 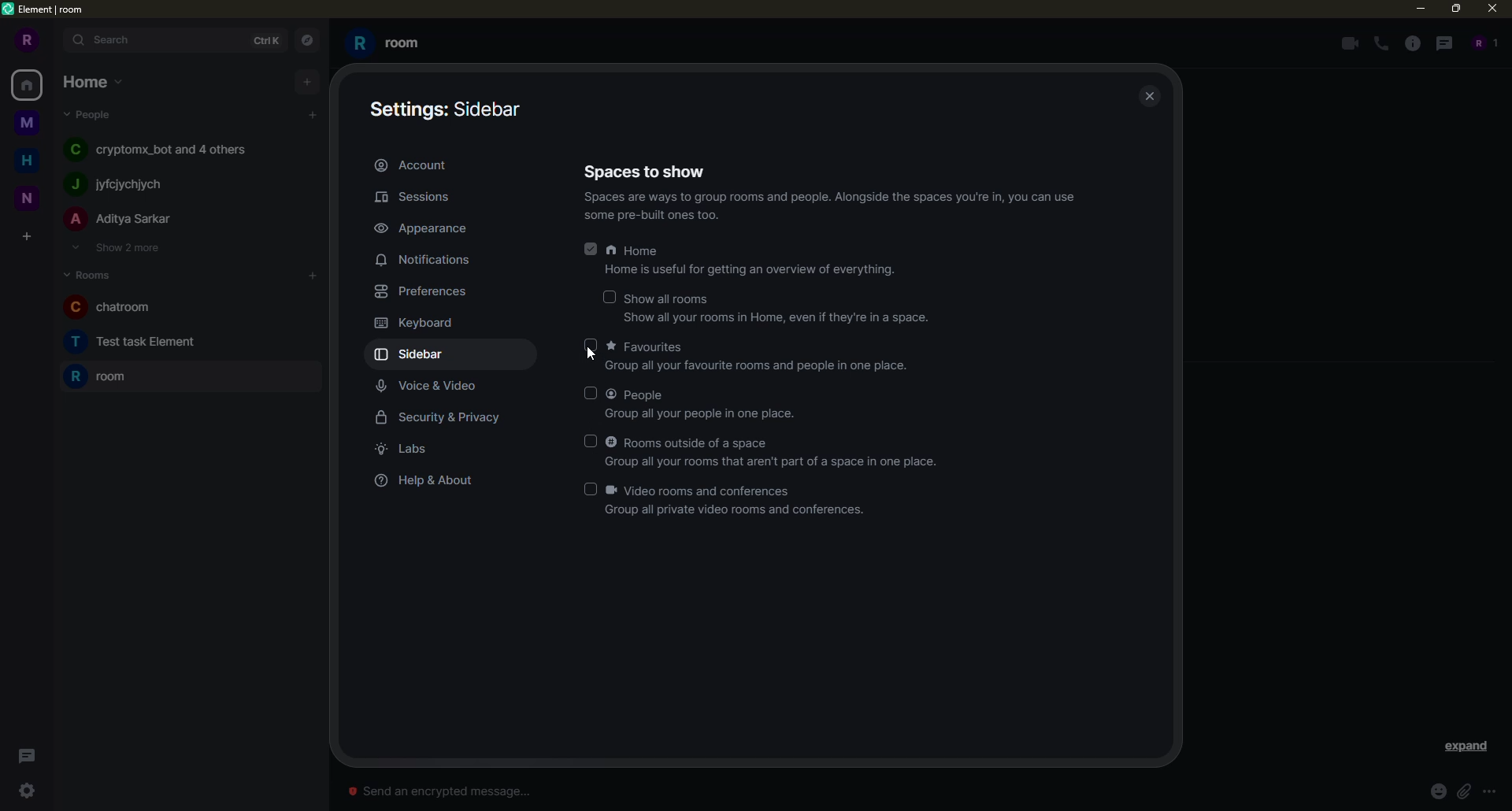 What do you see at coordinates (1468, 746) in the screenshot?
I see `expand` at bounding box center [1468, 746].